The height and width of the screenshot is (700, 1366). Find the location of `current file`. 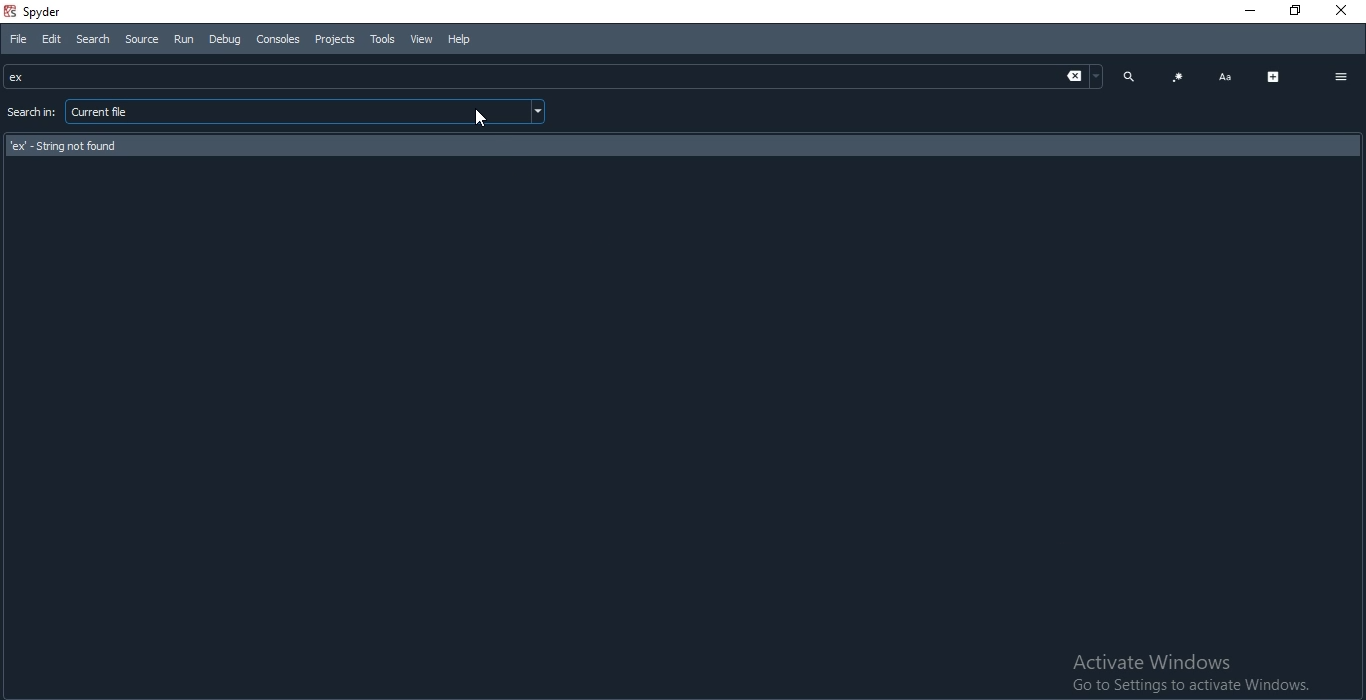

current file is located at coordinates (308, 111).